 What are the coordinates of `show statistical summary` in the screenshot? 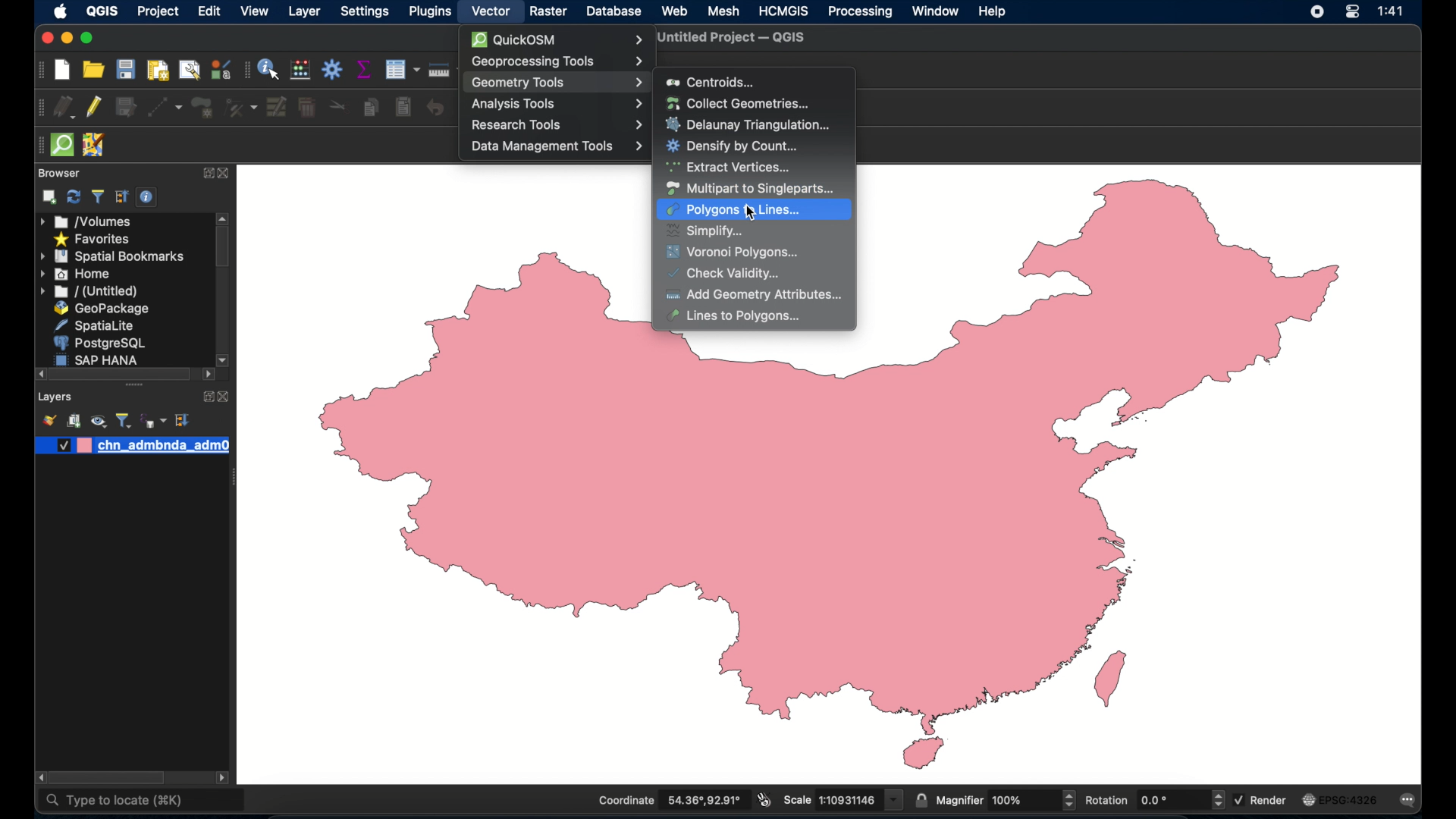 It's located at (362, 68).